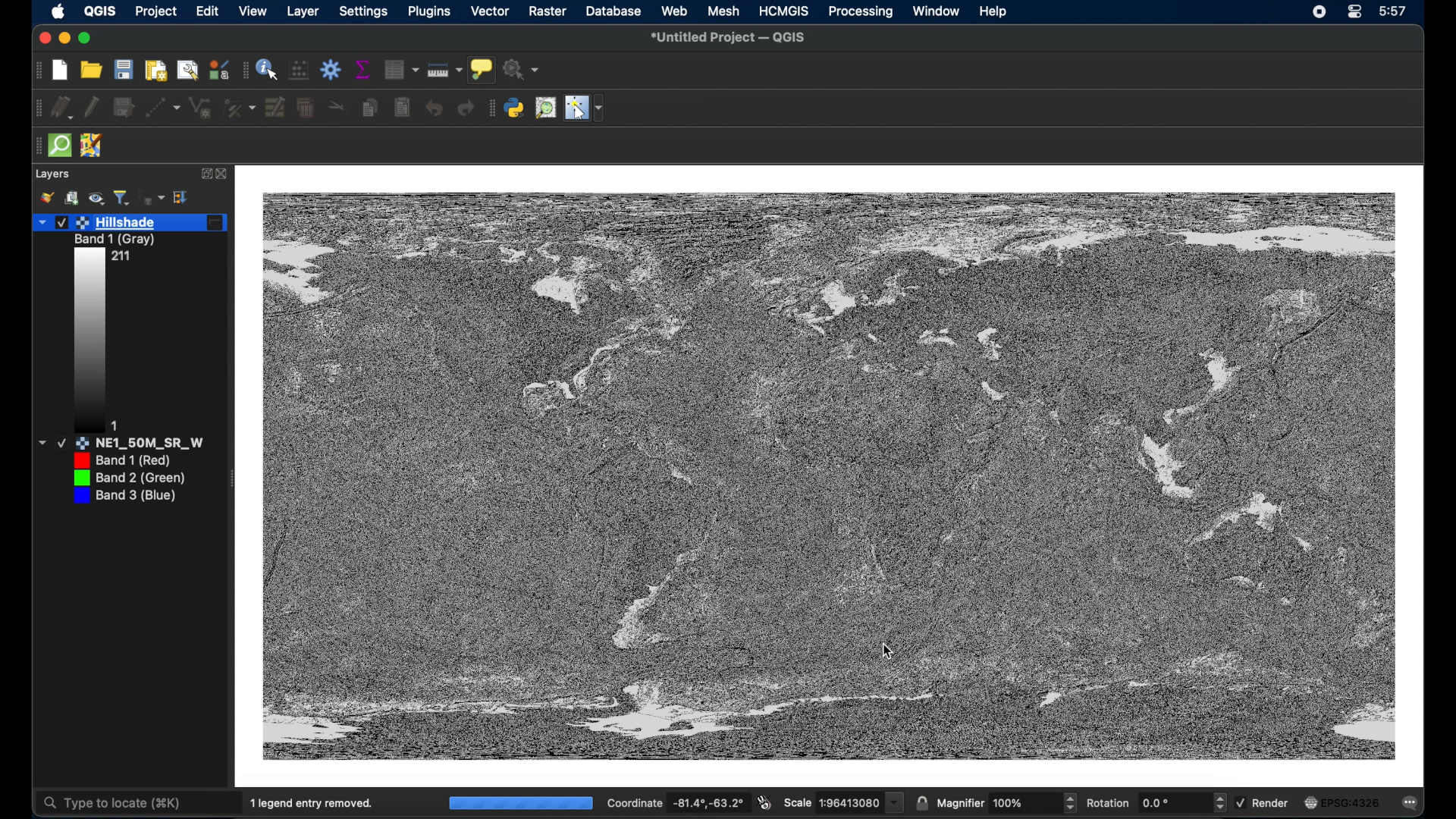 This screenshot has height=819, width=1456. I want to click on drag handle, so click(36, 71).